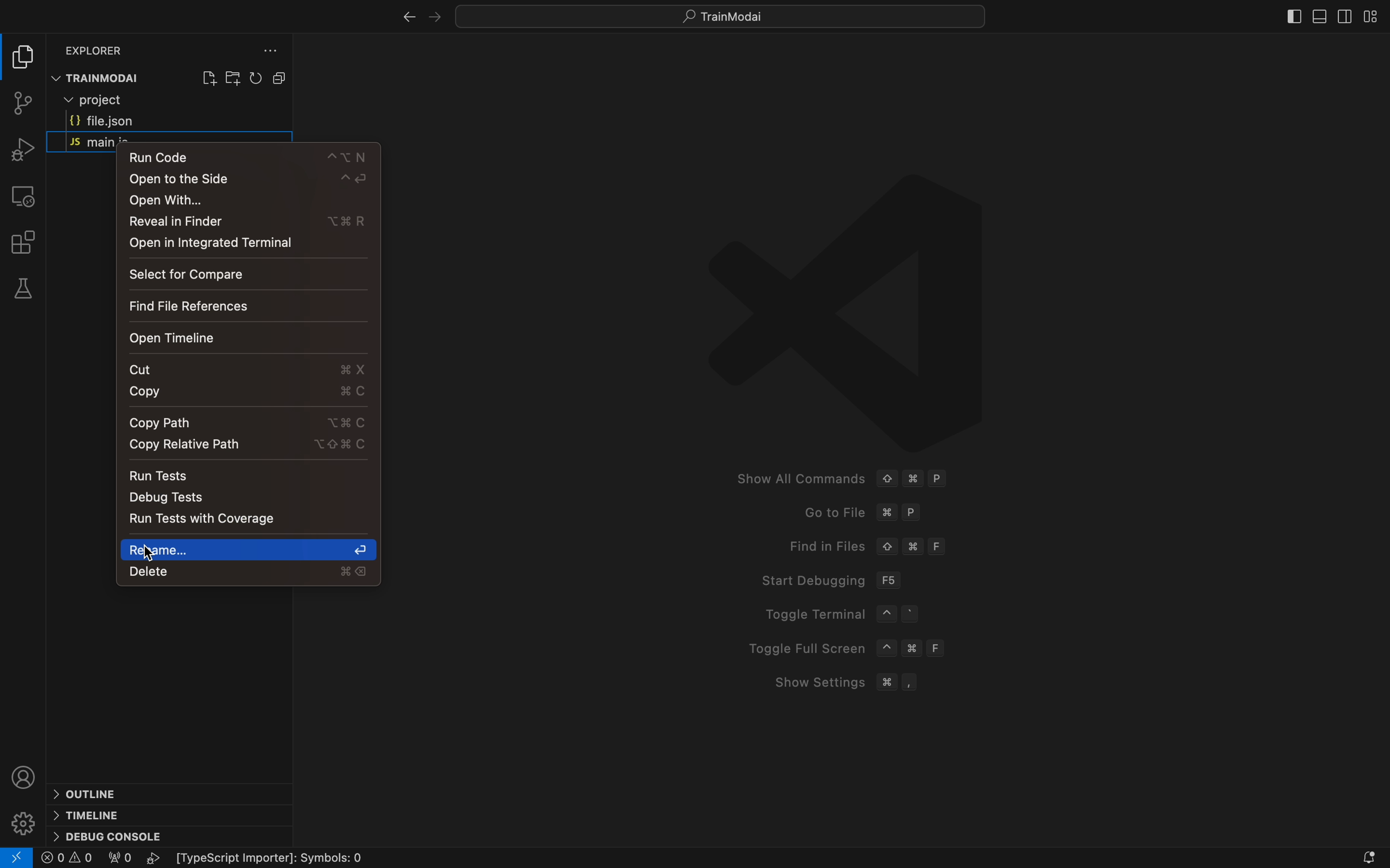  Describe the element at coordinates (25, 196) in the screenshot. I see `remote explorer ` at that location.